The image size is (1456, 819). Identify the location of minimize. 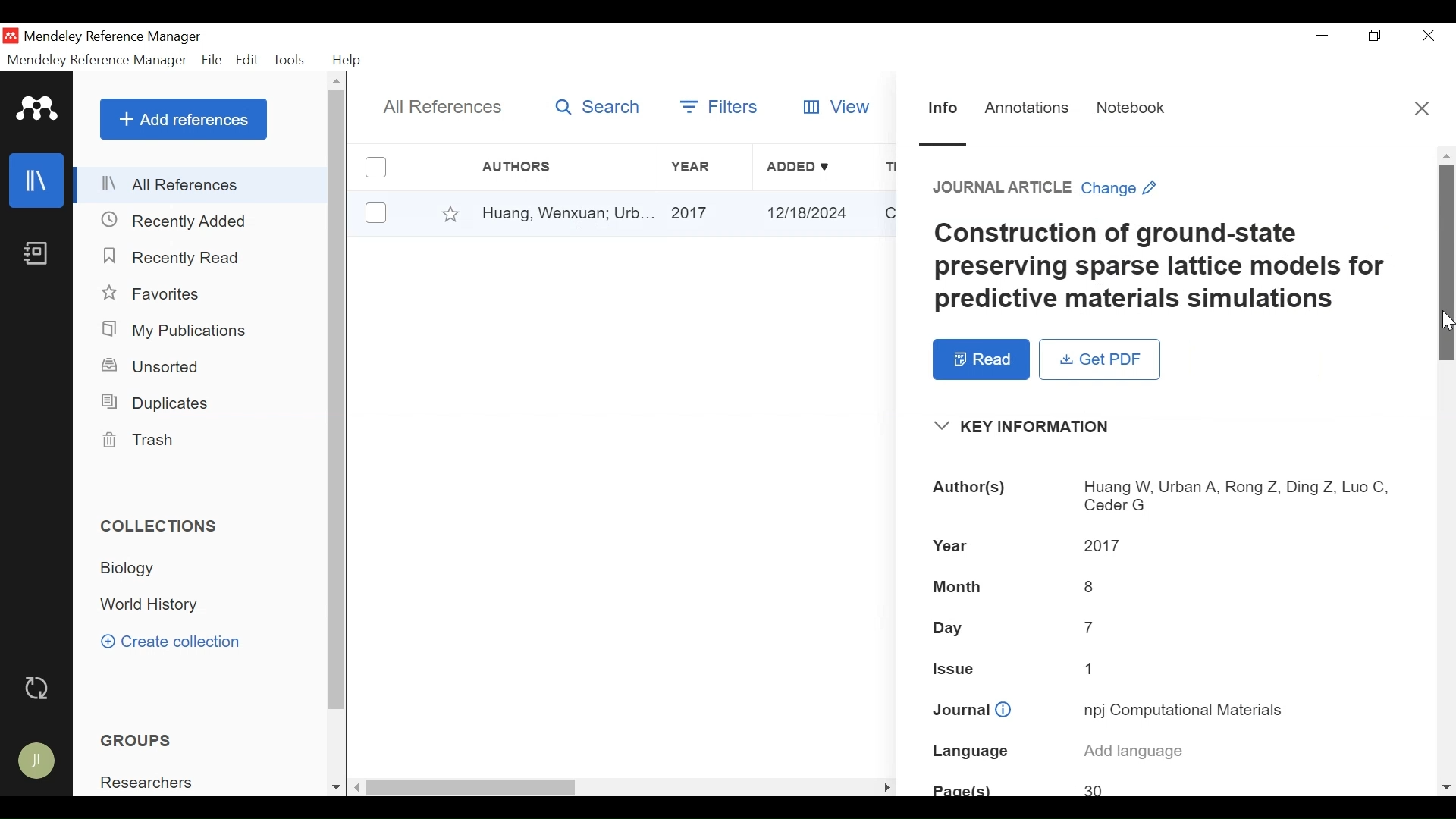
(1322, 35).